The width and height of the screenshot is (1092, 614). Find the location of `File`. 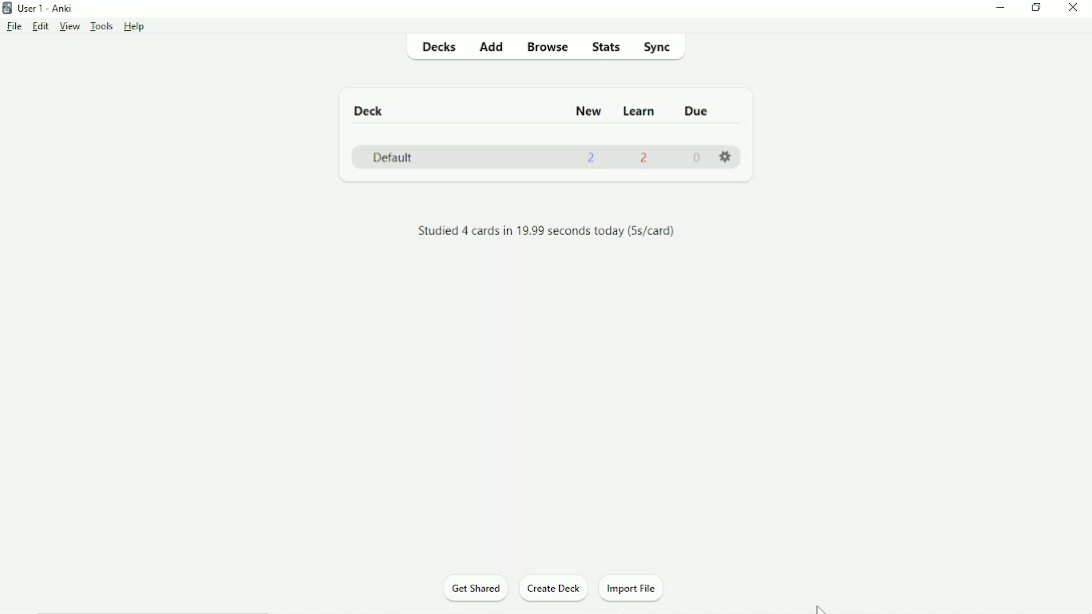

File is located at coordinates (13, 27).